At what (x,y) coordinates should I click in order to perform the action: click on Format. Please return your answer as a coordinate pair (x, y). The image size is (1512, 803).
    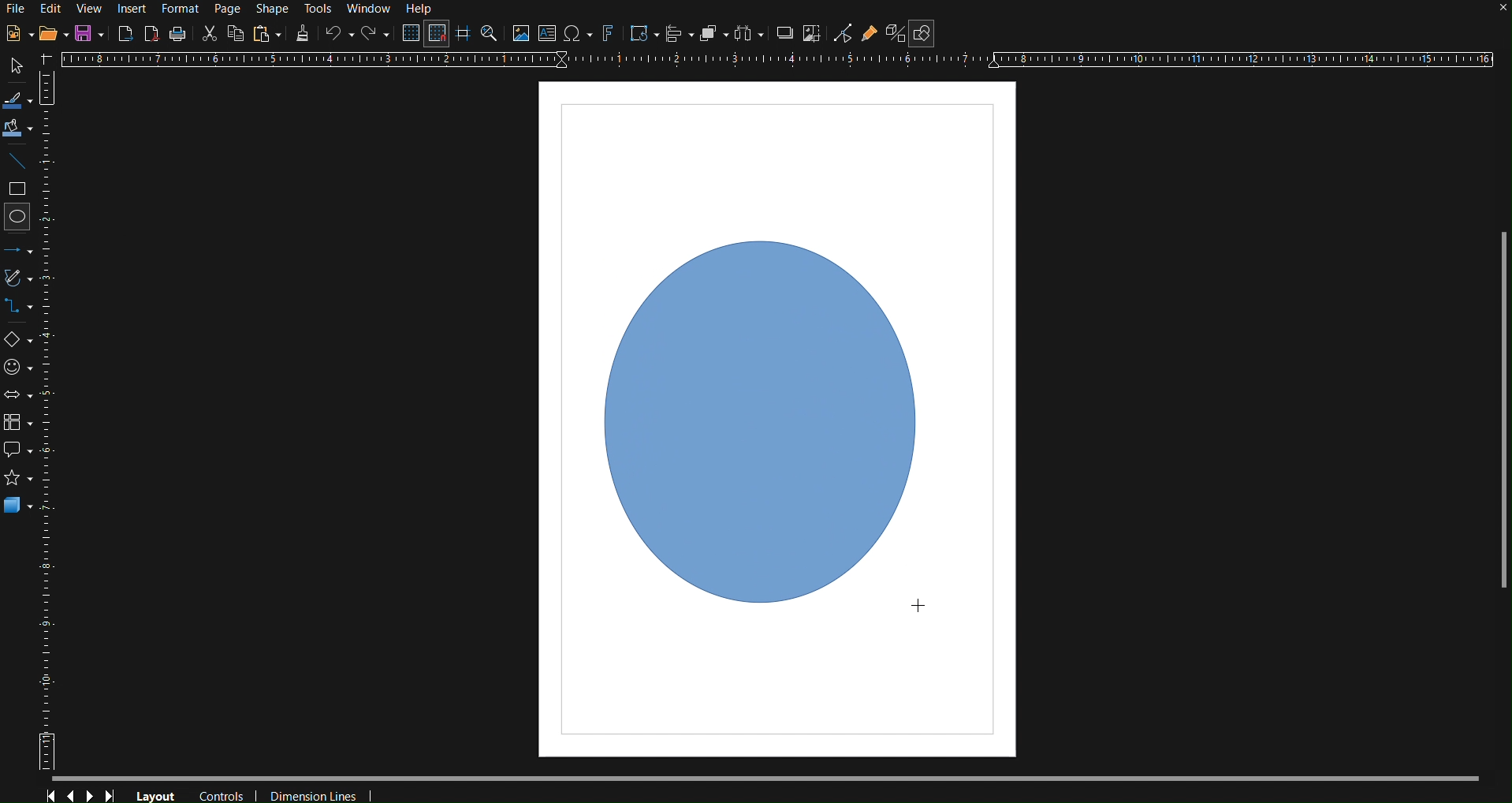
    Looking at the image, I should click on (182, 9).